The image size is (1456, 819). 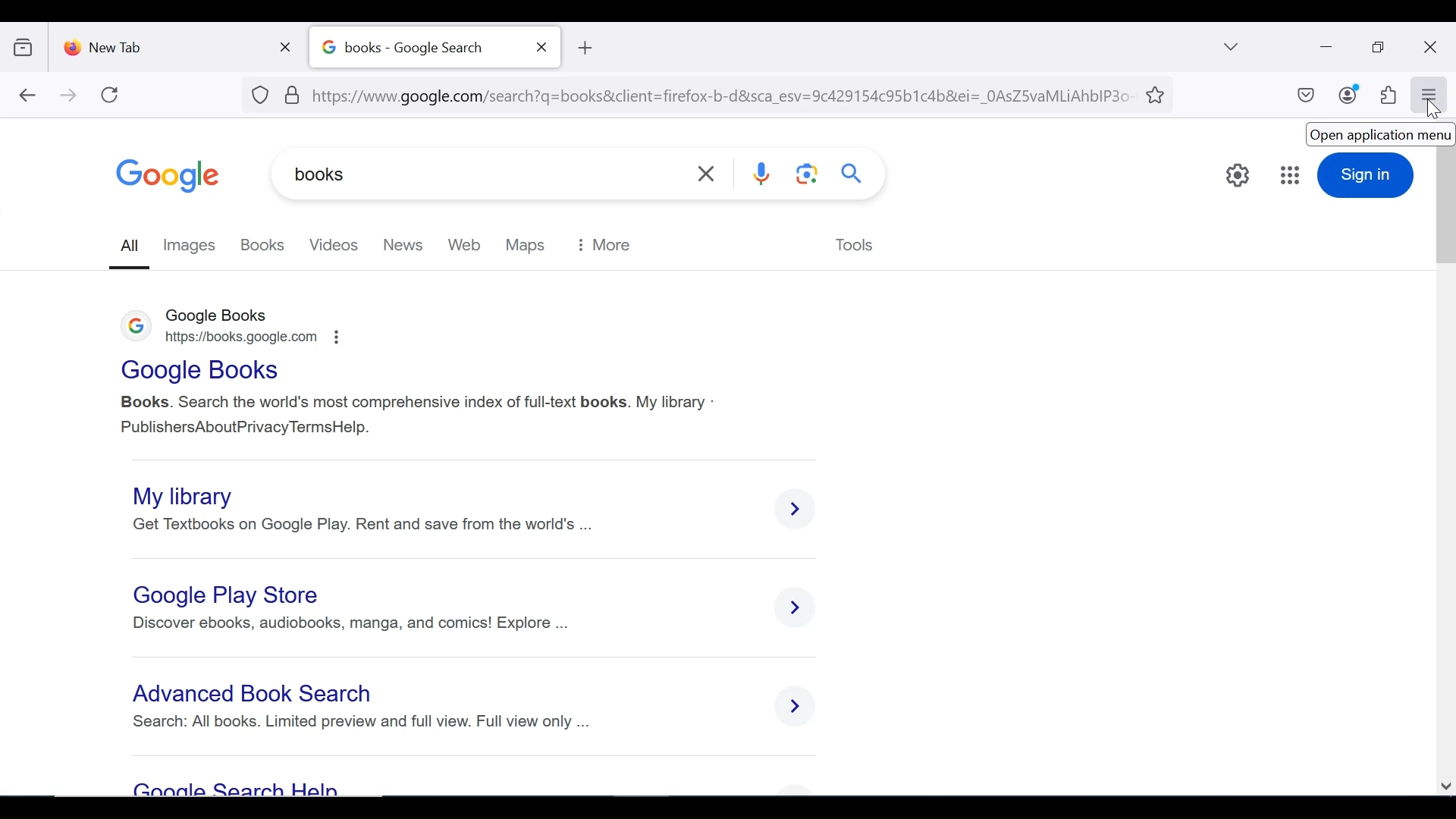 I want to click on all, so click(x=131, y=246).